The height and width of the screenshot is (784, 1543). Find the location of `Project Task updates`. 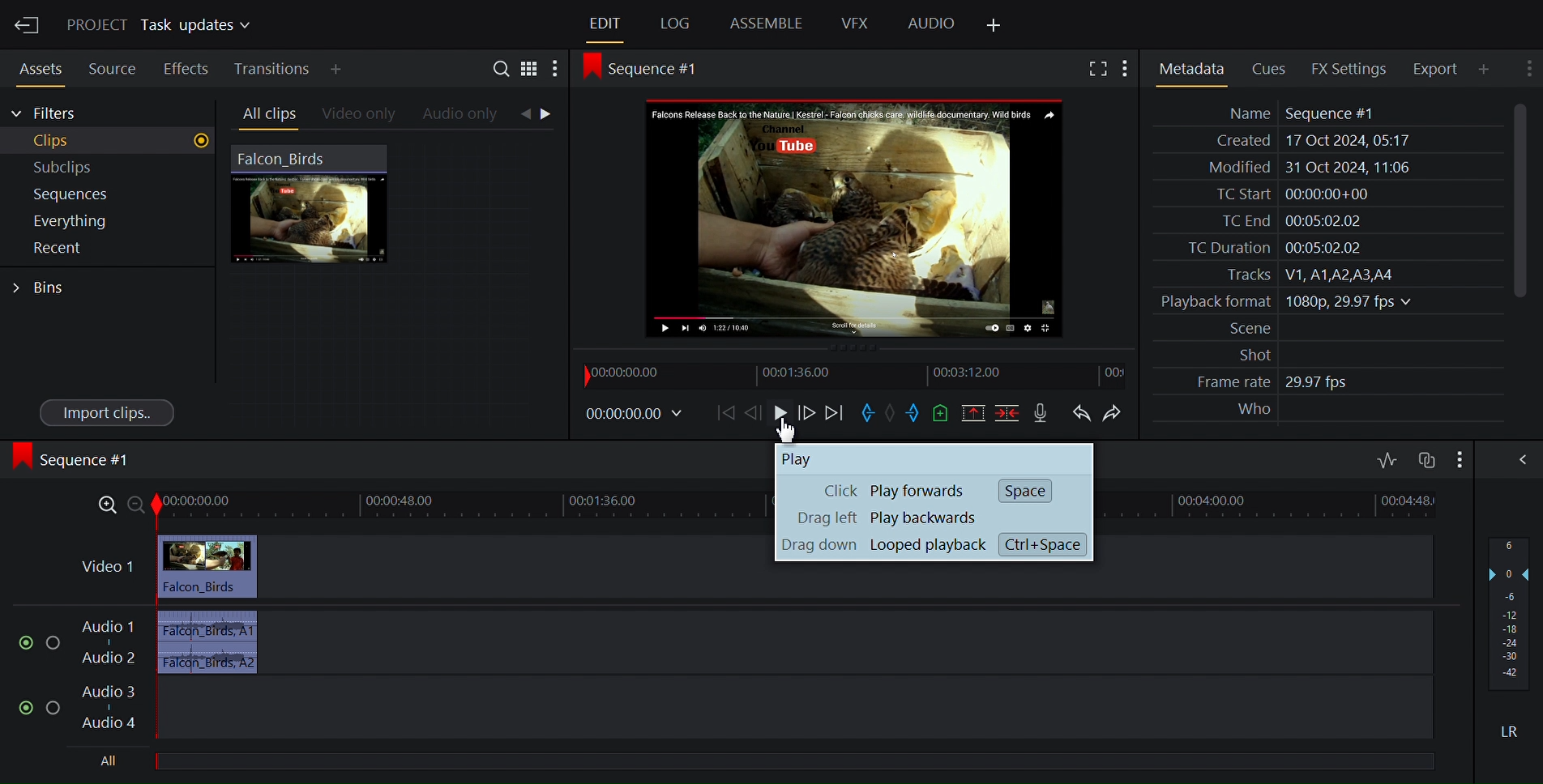

Project Task updates is located at coordinates (158, 26).